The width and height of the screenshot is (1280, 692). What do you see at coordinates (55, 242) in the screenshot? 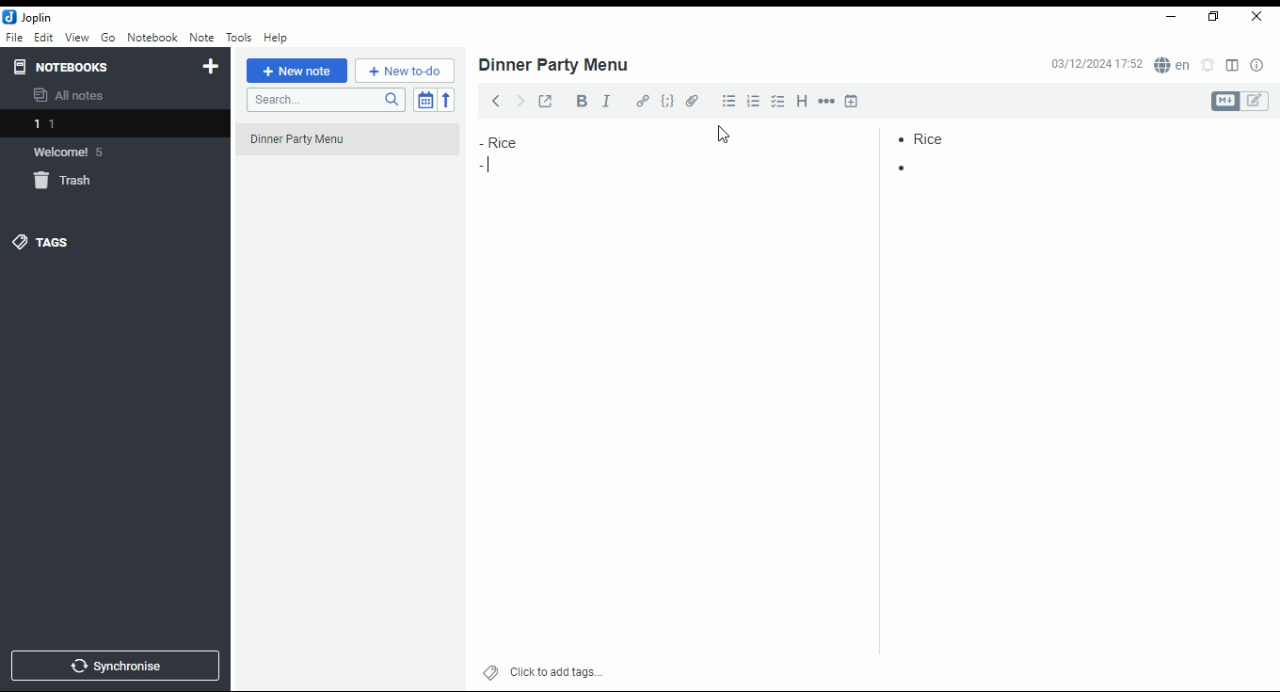
I see `tags` at bounding box center [55, 242].